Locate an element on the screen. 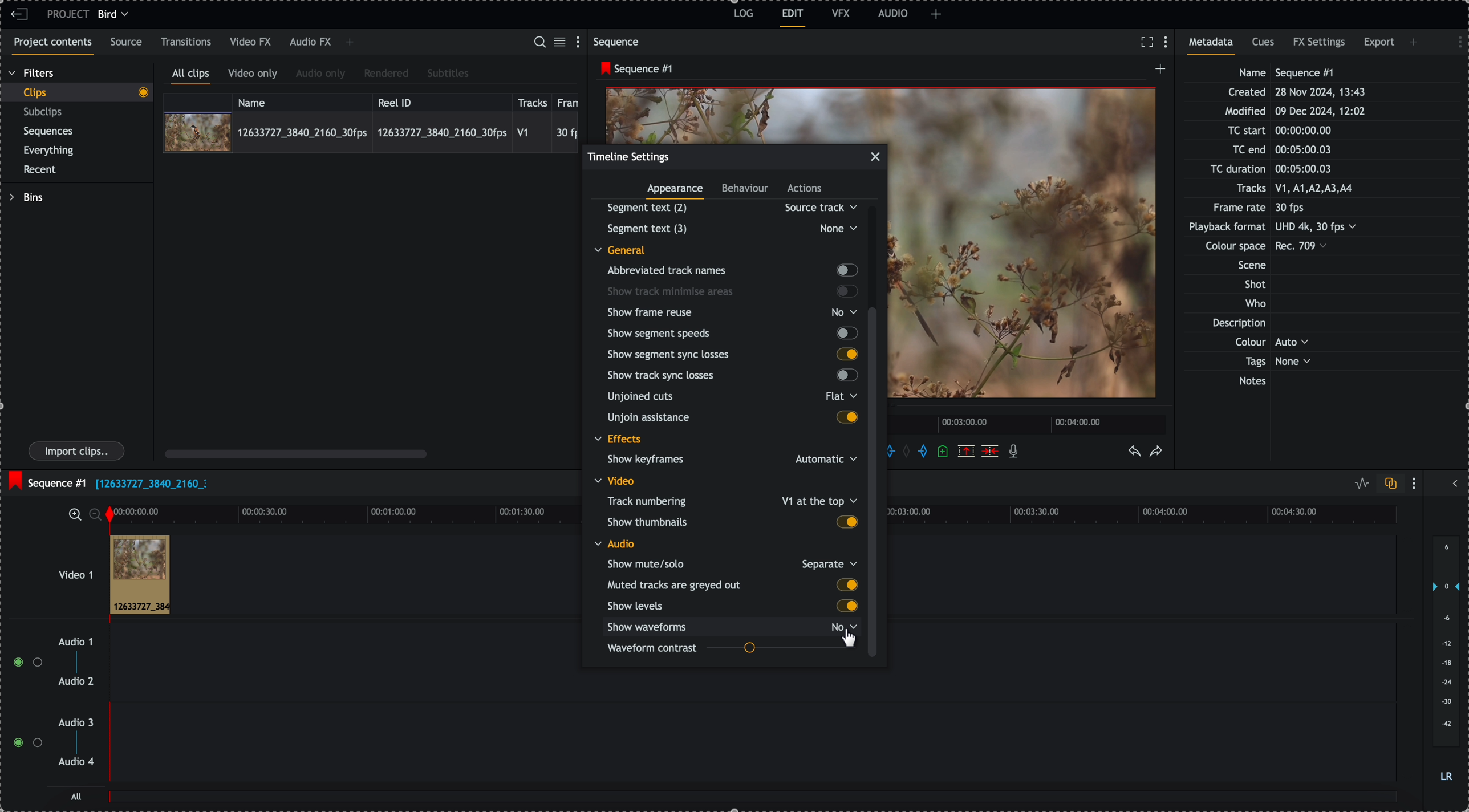 The width and height of the screenshot is (1469, 812). VFX is located at coordinates (841, 13).